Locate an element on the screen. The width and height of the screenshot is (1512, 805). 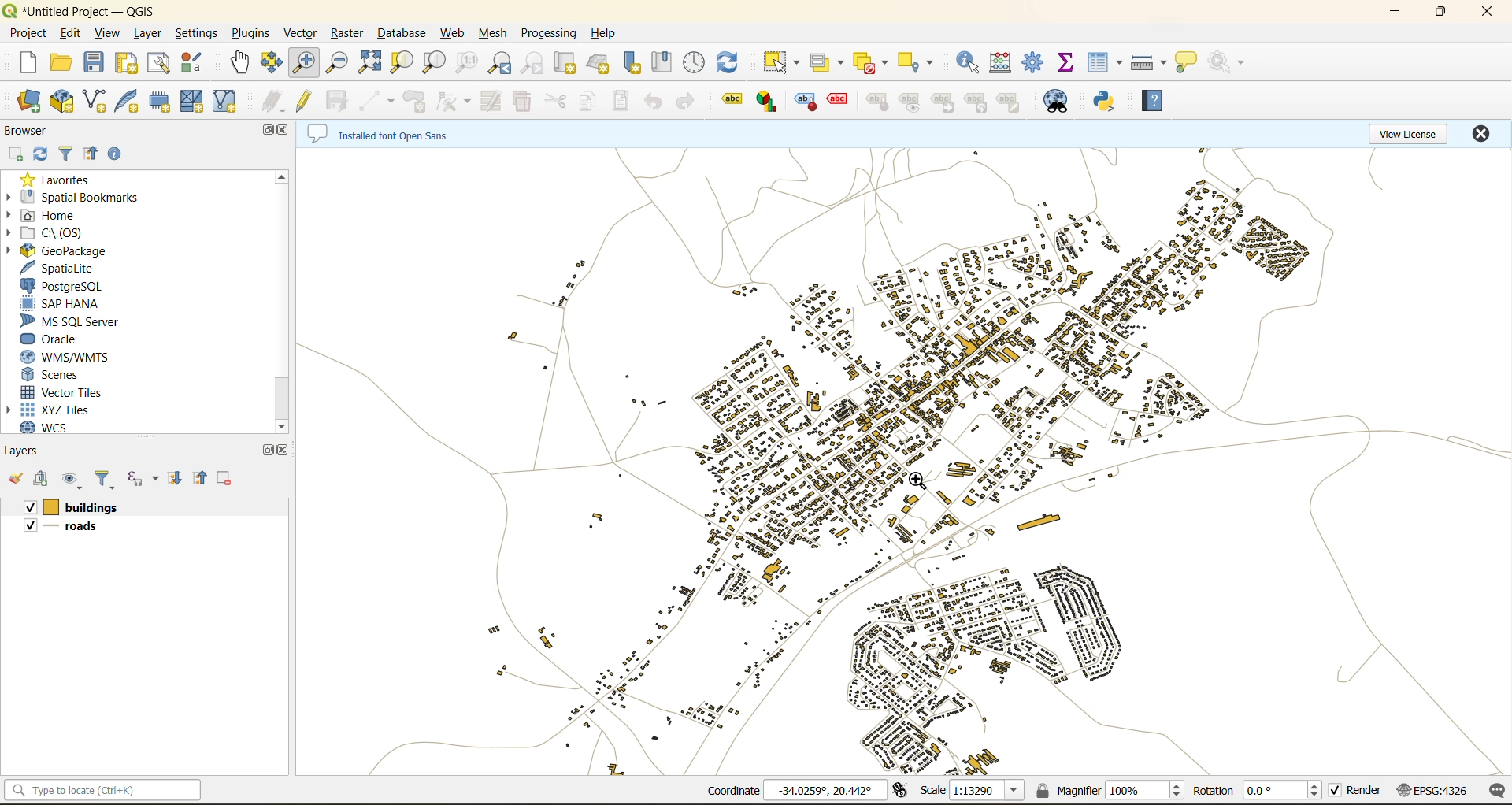
settings is located at coordinates (194, 33).